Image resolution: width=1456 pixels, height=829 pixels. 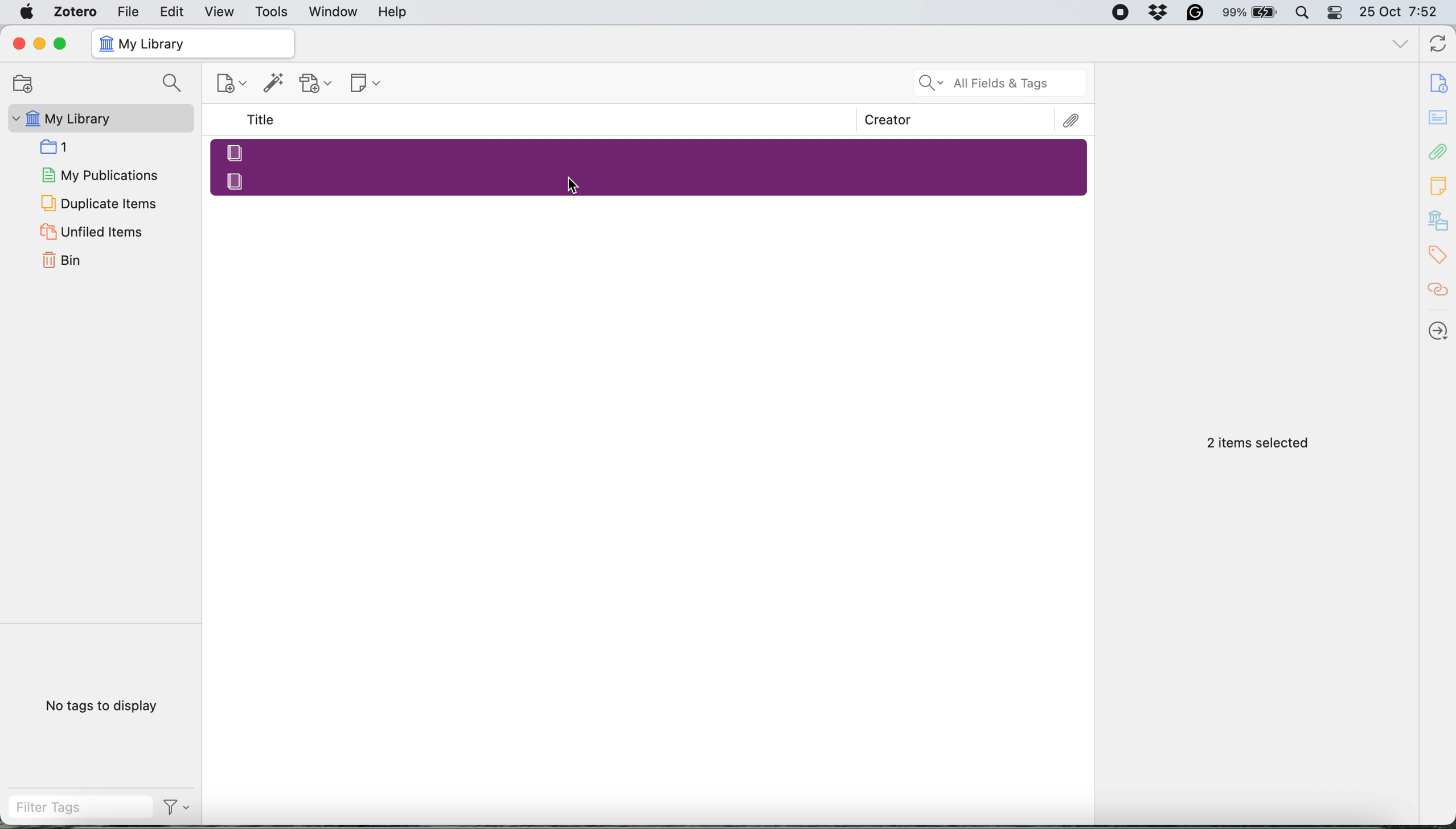 I want to click on New Item, so click(x=233, y=85).